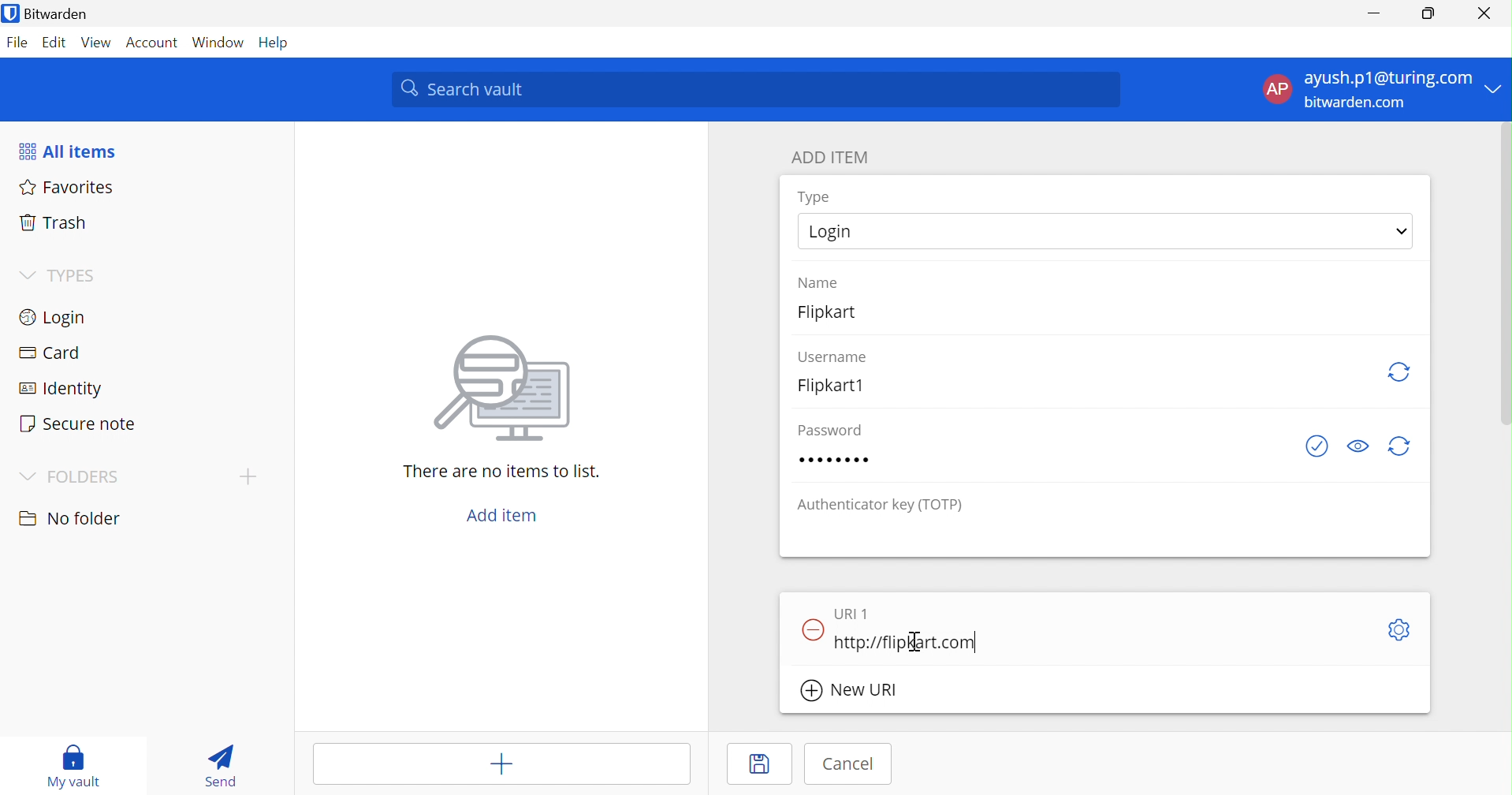 The height and width of the screenshot is (795, 1512). Describe the element at coordinates (1362, 104) in the screenshot. I see `bitwarden.com` at that location.